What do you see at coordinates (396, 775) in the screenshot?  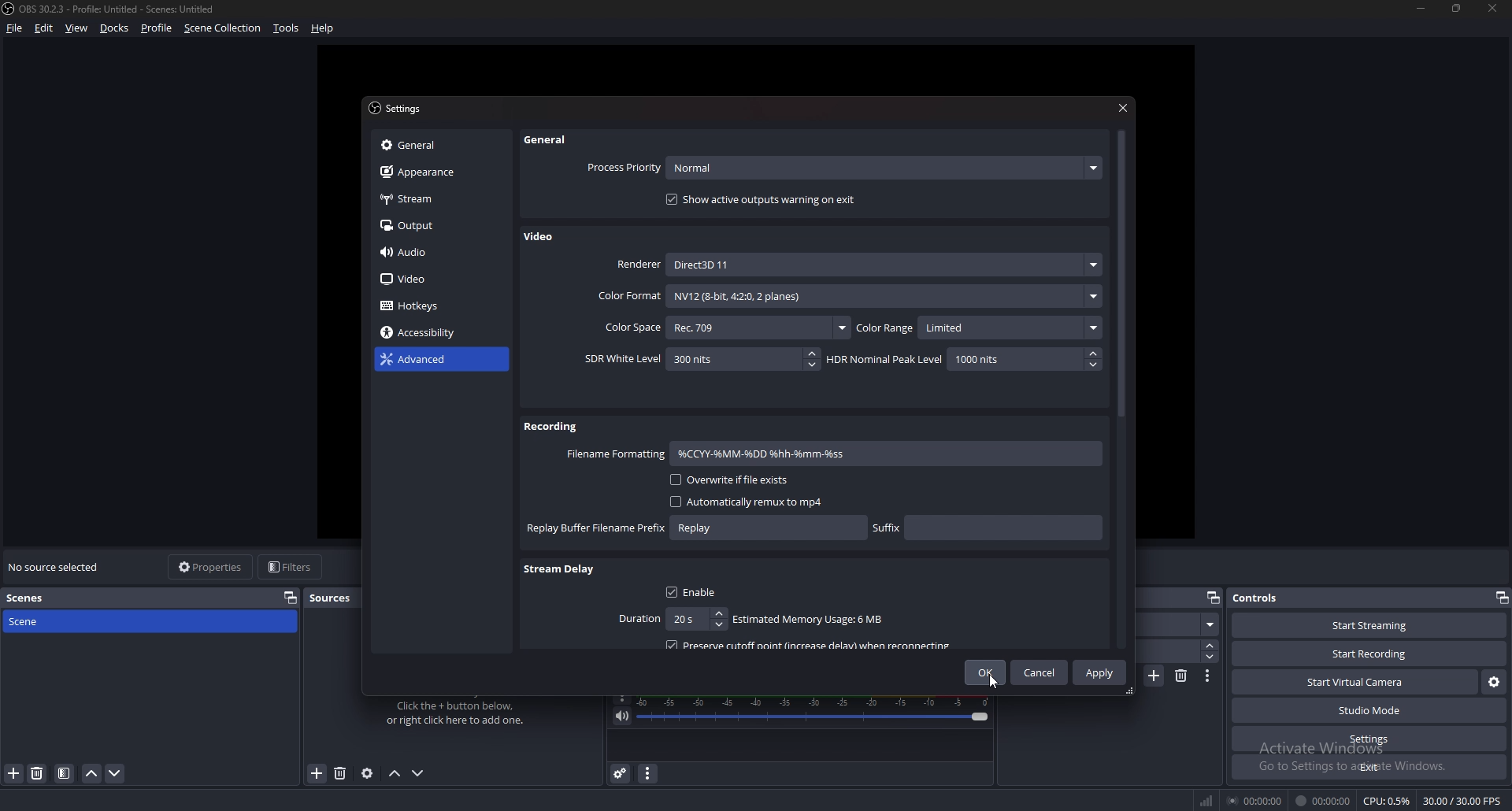 I see `move sources up` at bounding box center [396, 775].